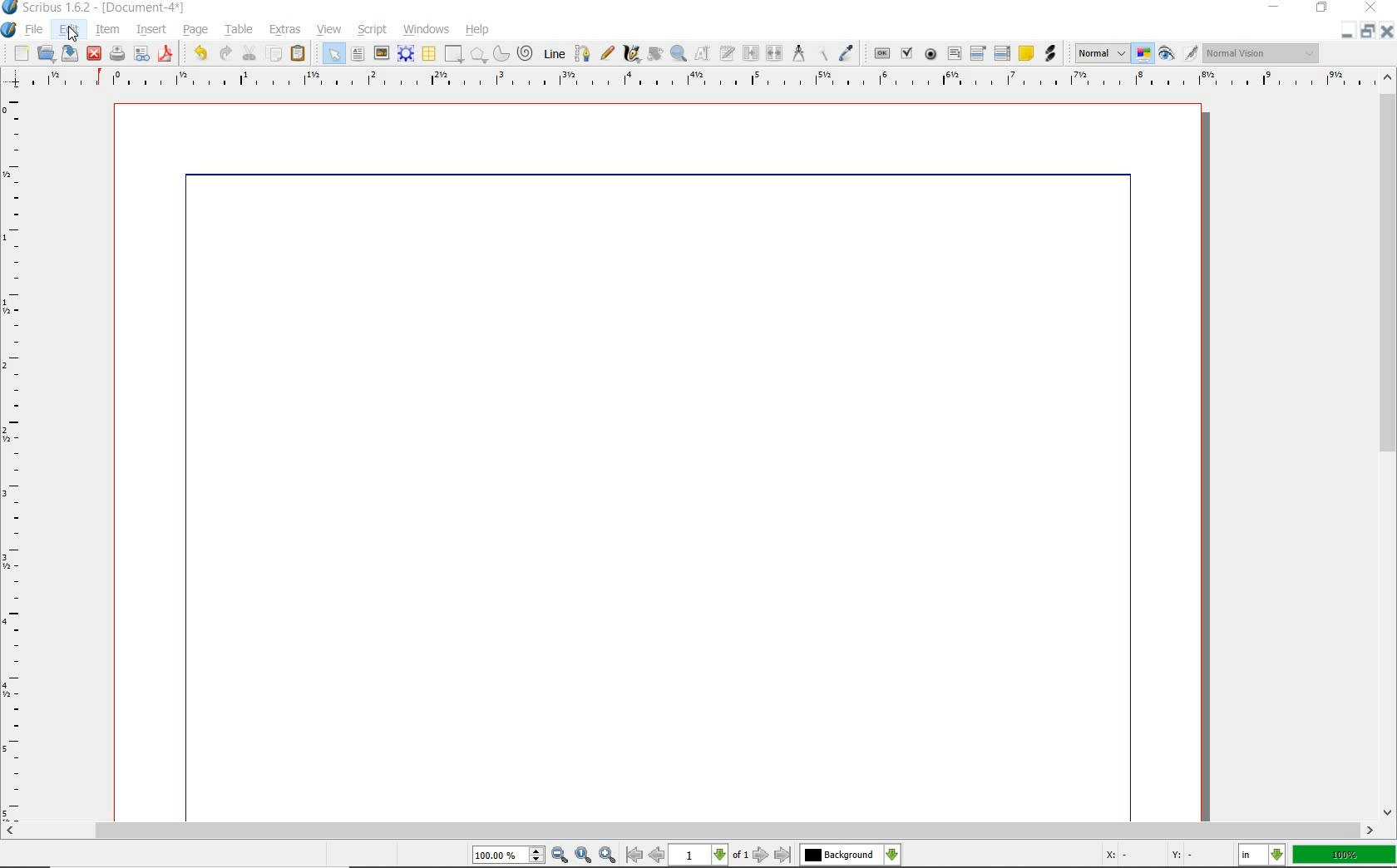  I want to click on preview mode, so click(1179, 53).